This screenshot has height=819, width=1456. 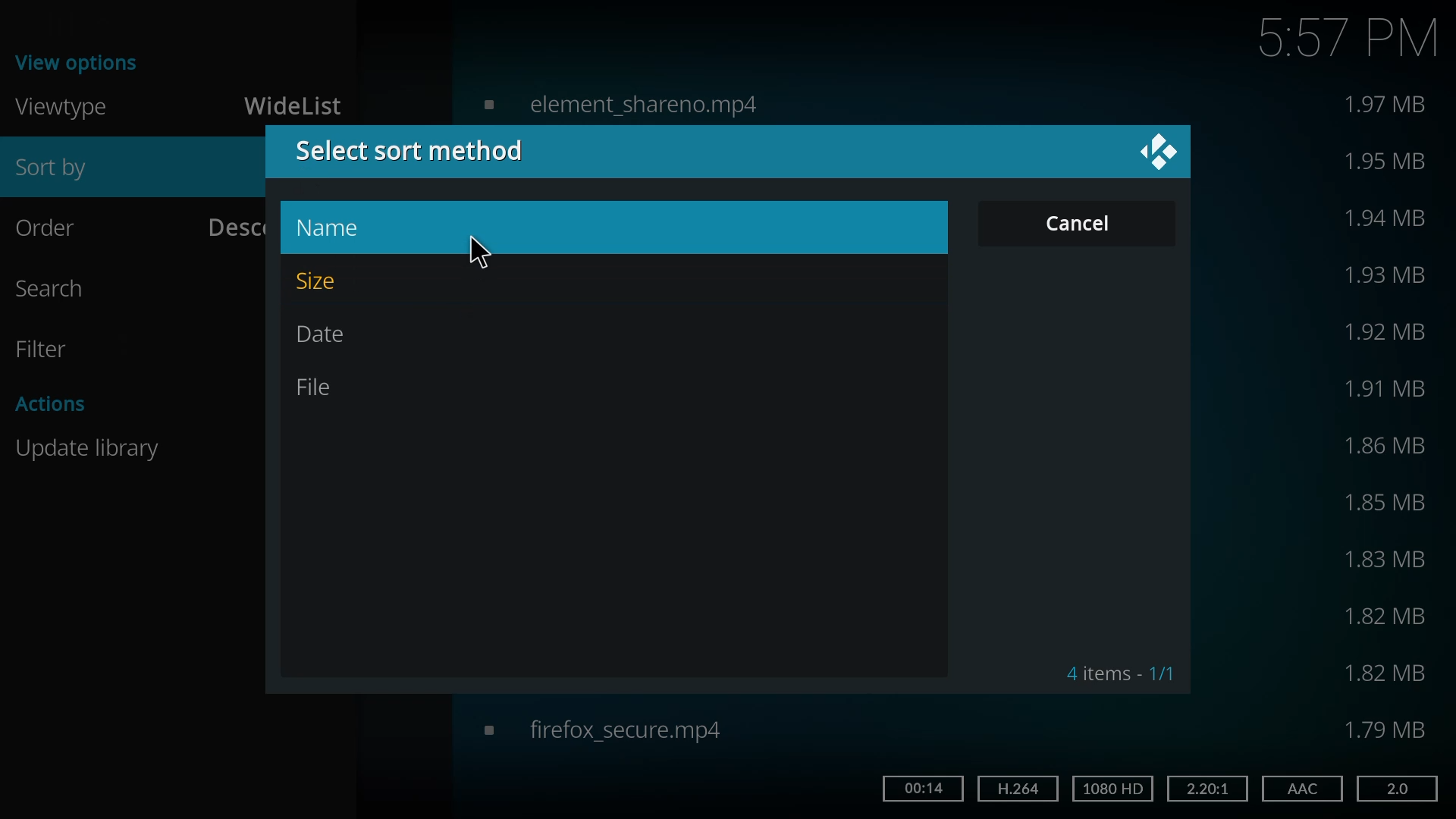 What do you see at coordinates (415, 150) in the screenshot?
I see `select sort method` at bounding box center [415, 150].